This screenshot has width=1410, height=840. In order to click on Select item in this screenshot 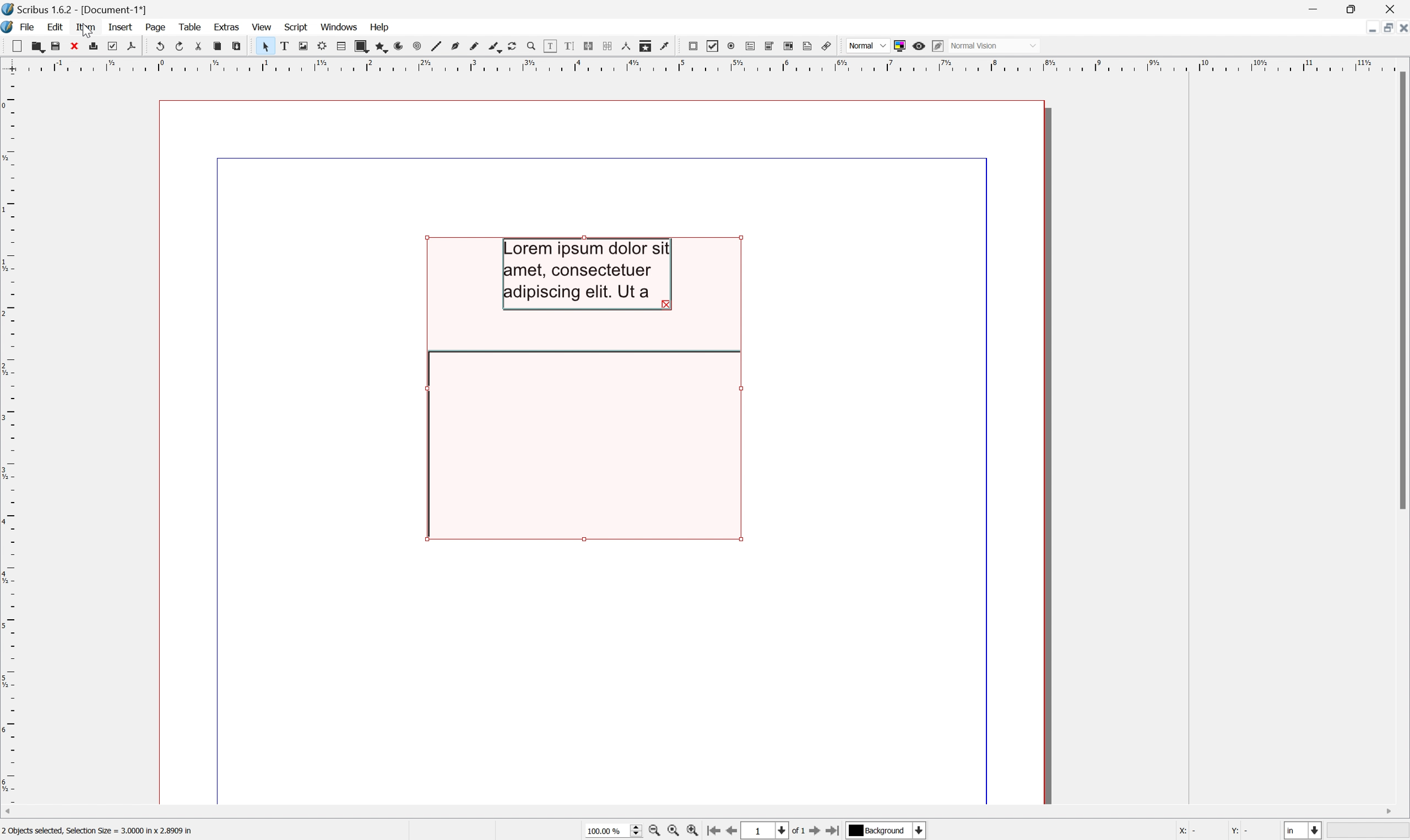, I will do `click(262, 46)`.